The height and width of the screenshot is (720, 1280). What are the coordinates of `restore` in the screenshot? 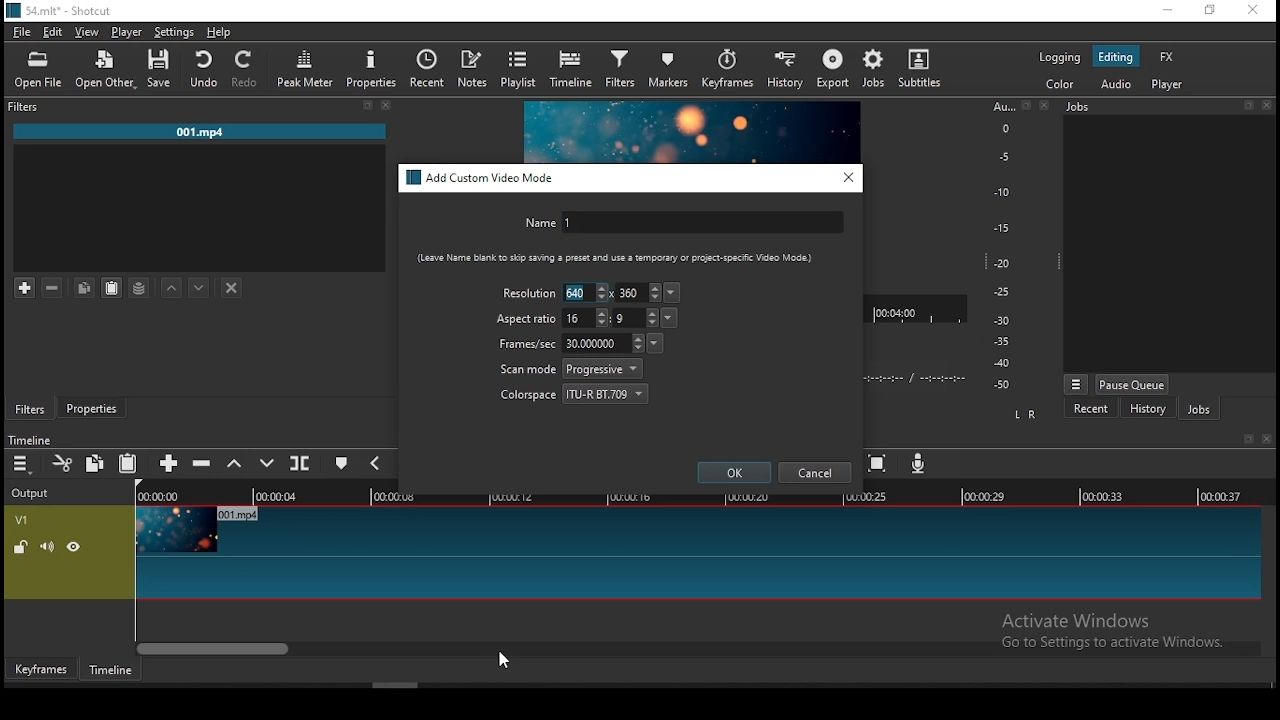 It's located at (1246, 440).